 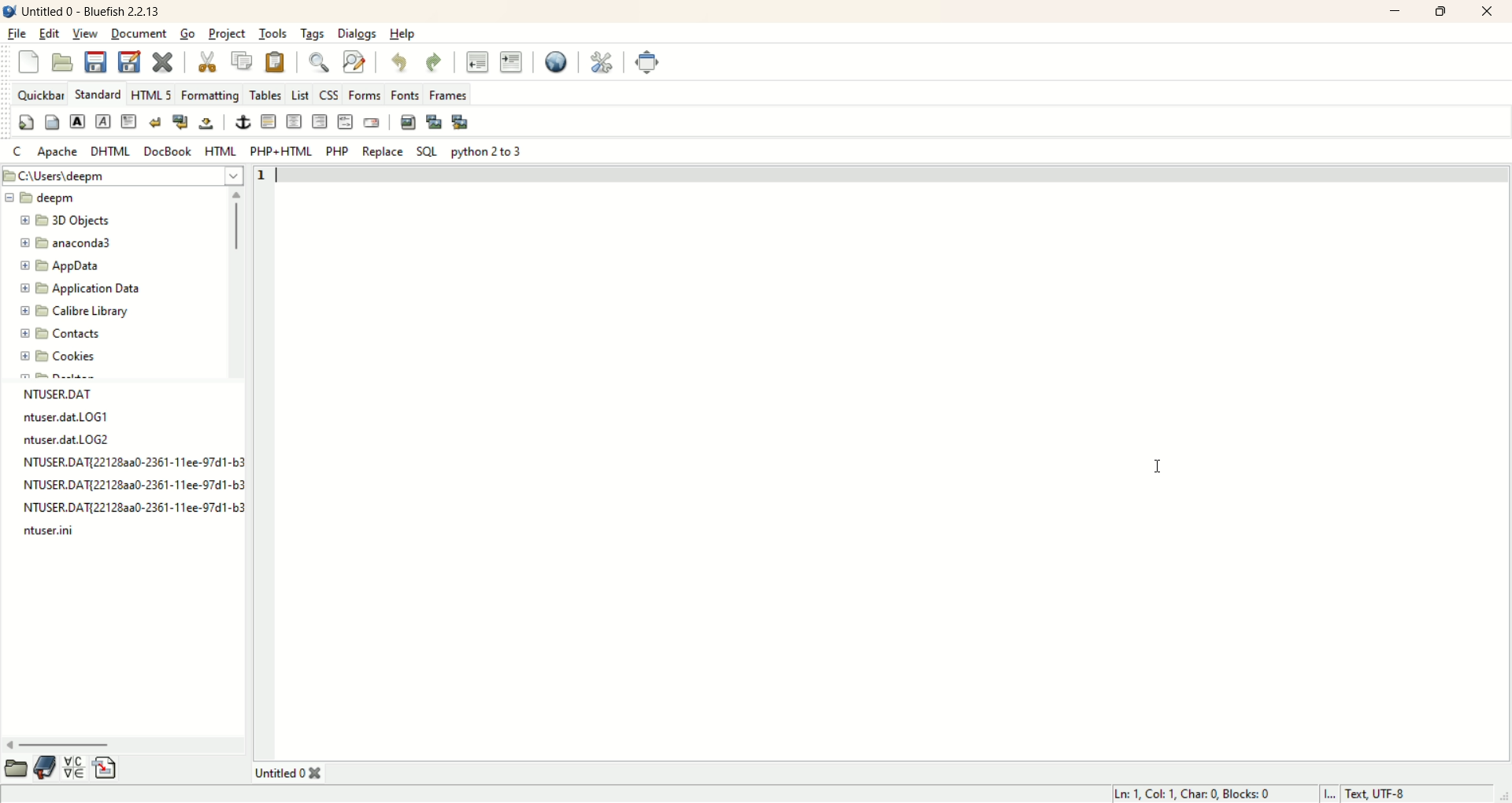 What do you see at coordinates (169, 151) in the screenshot?
I see `DOC BOOK` at bounding box center [169, 151].